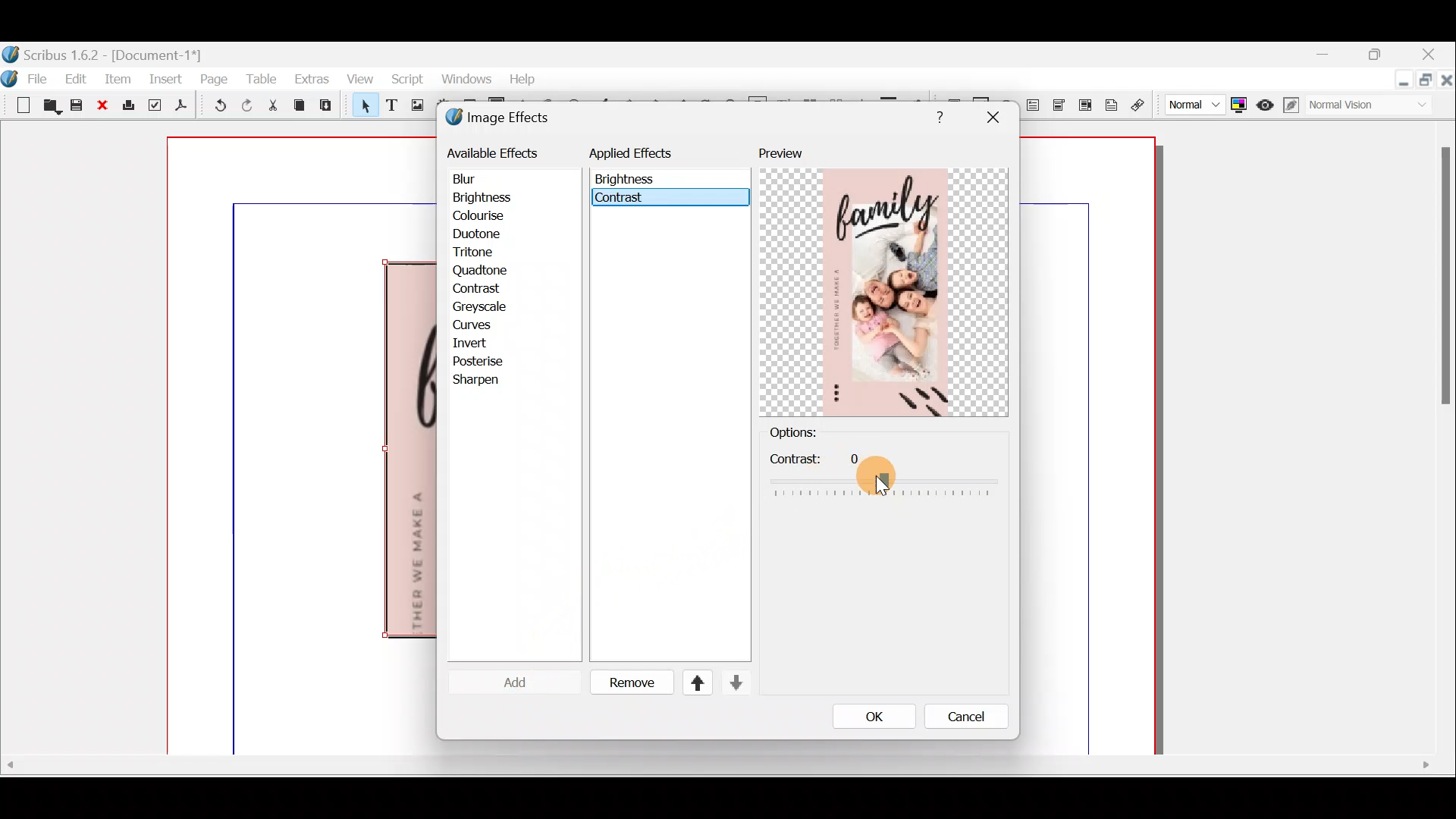  What do you see at coordinates (486, 217) in the screenshot?
I see `Colourise` at bounding box center [486, 217].